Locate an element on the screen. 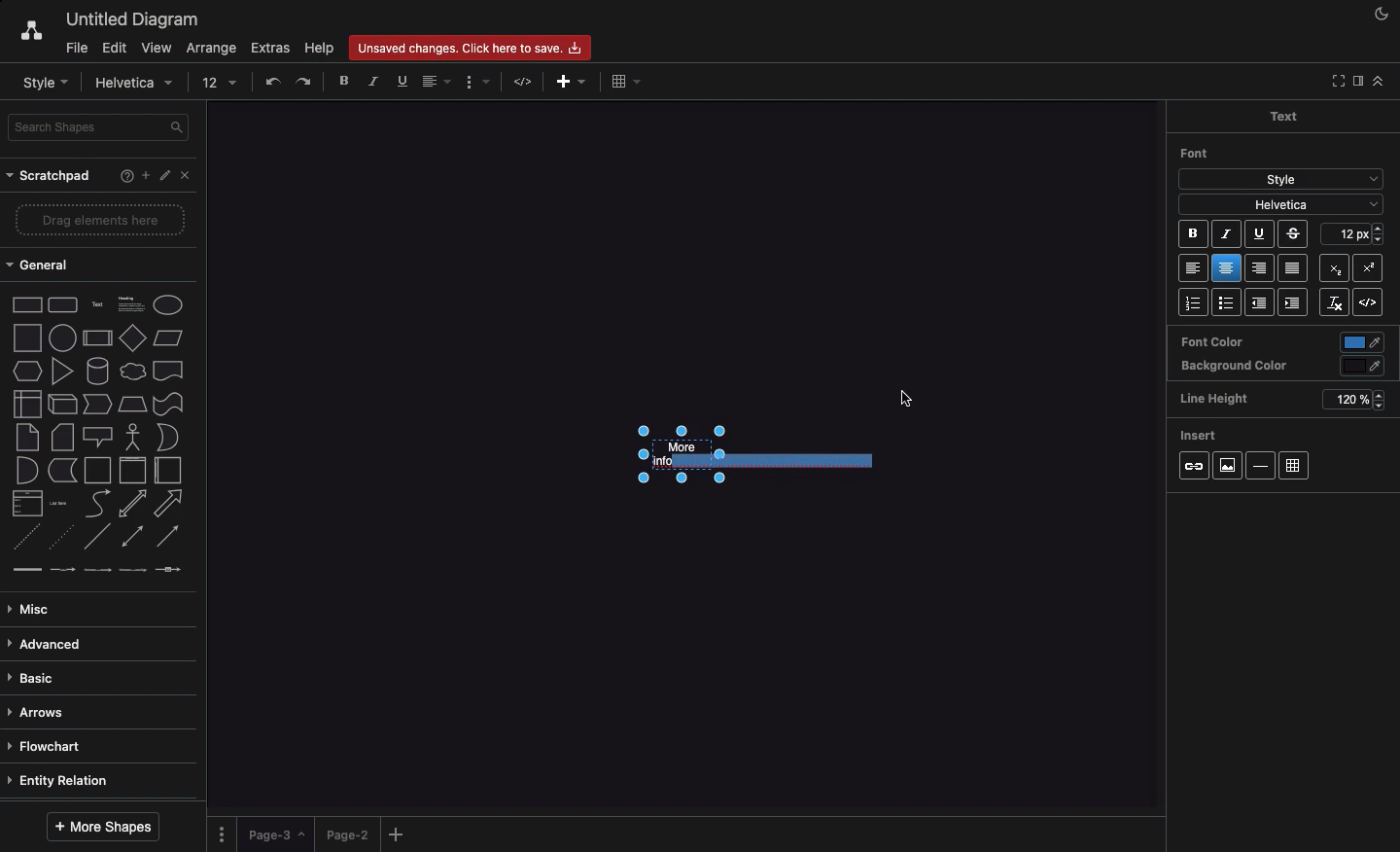 Image resolution: width=1400 pixels, height=852 pixels. Indent is located at coordinates (1295, 303).